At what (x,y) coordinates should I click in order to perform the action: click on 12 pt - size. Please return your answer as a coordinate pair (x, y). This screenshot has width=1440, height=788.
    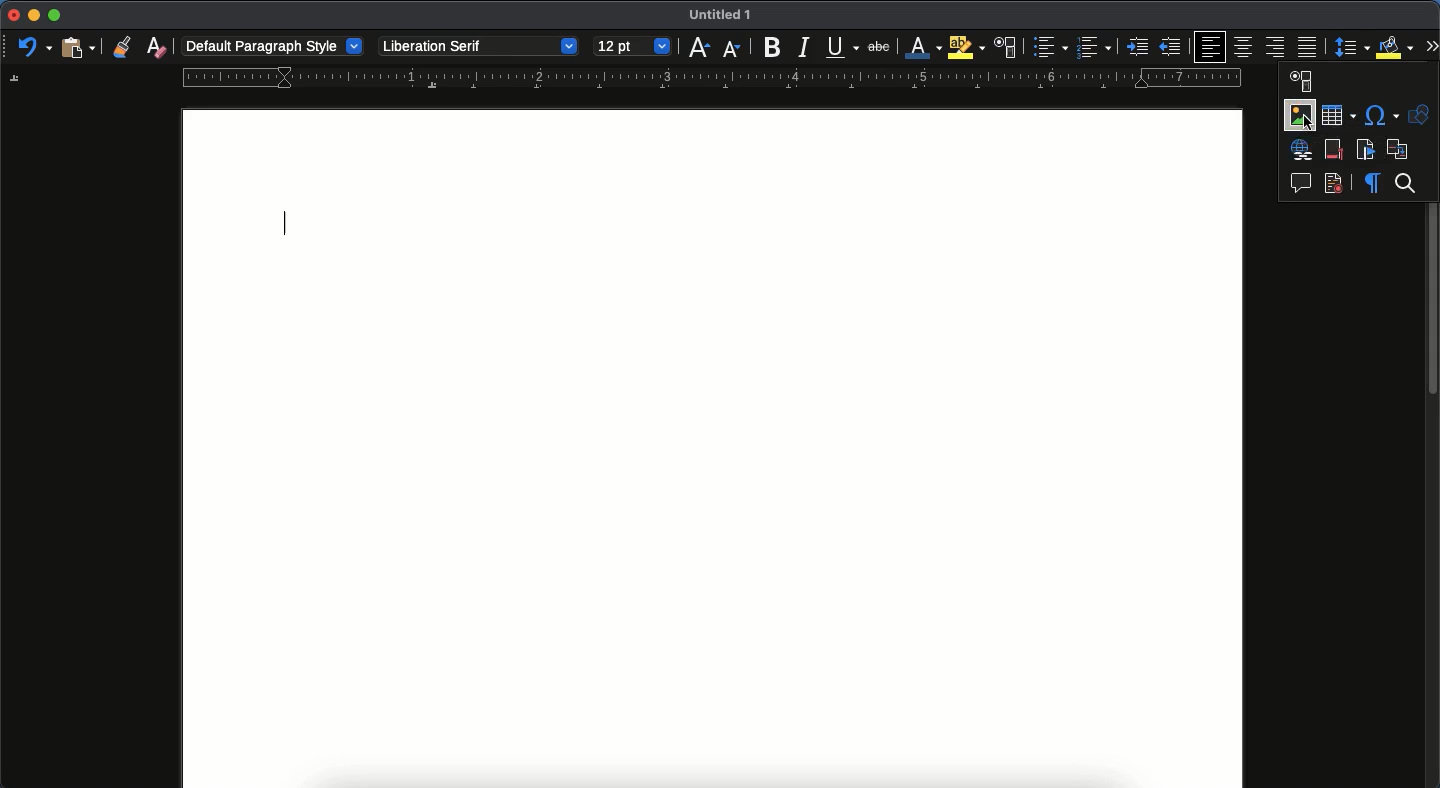
    Looking at the image, I should click on (631, 47).